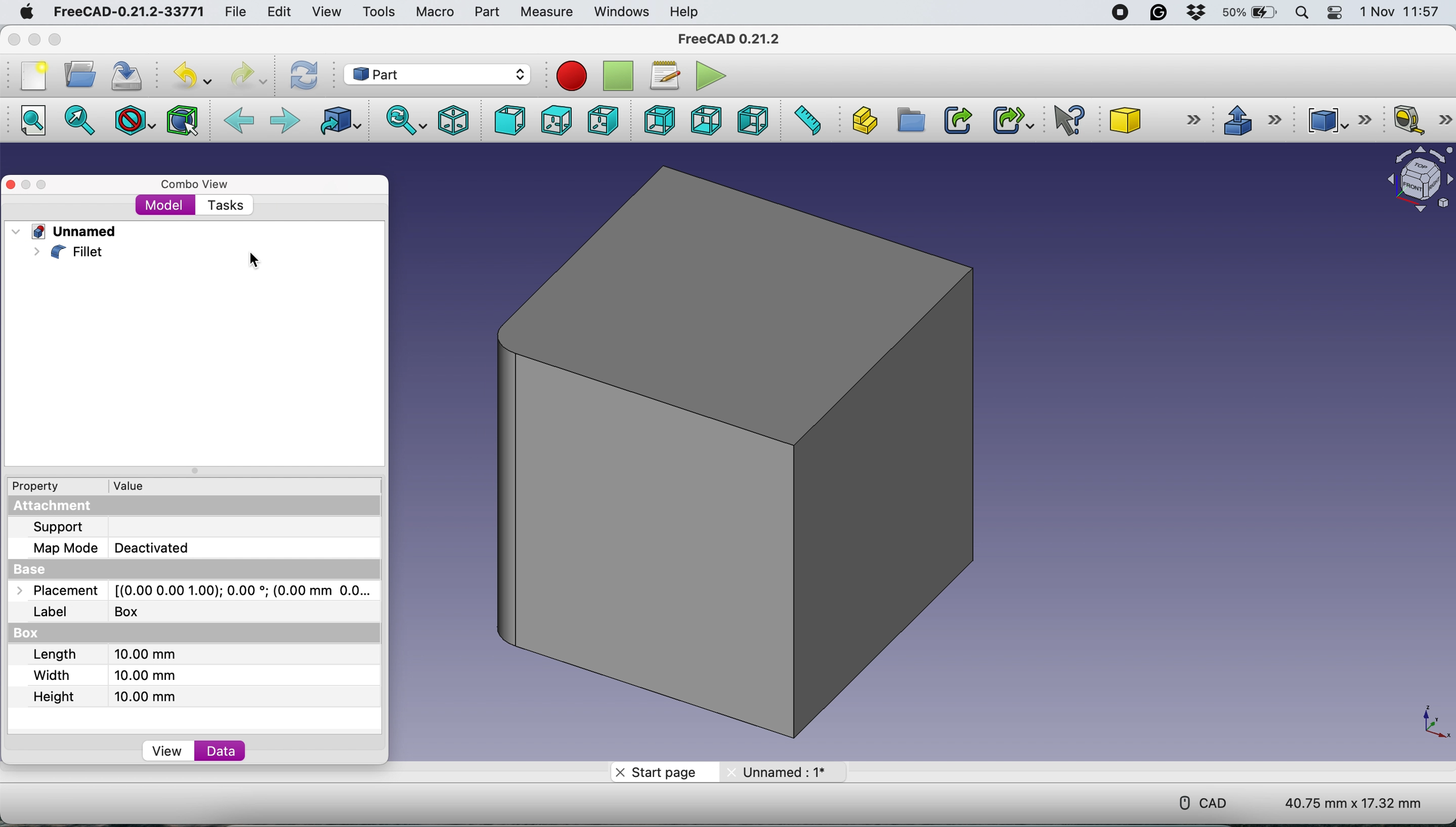  Describe the element at coordinates (231, 206) in the screenshot. I see `tasks` at that location.